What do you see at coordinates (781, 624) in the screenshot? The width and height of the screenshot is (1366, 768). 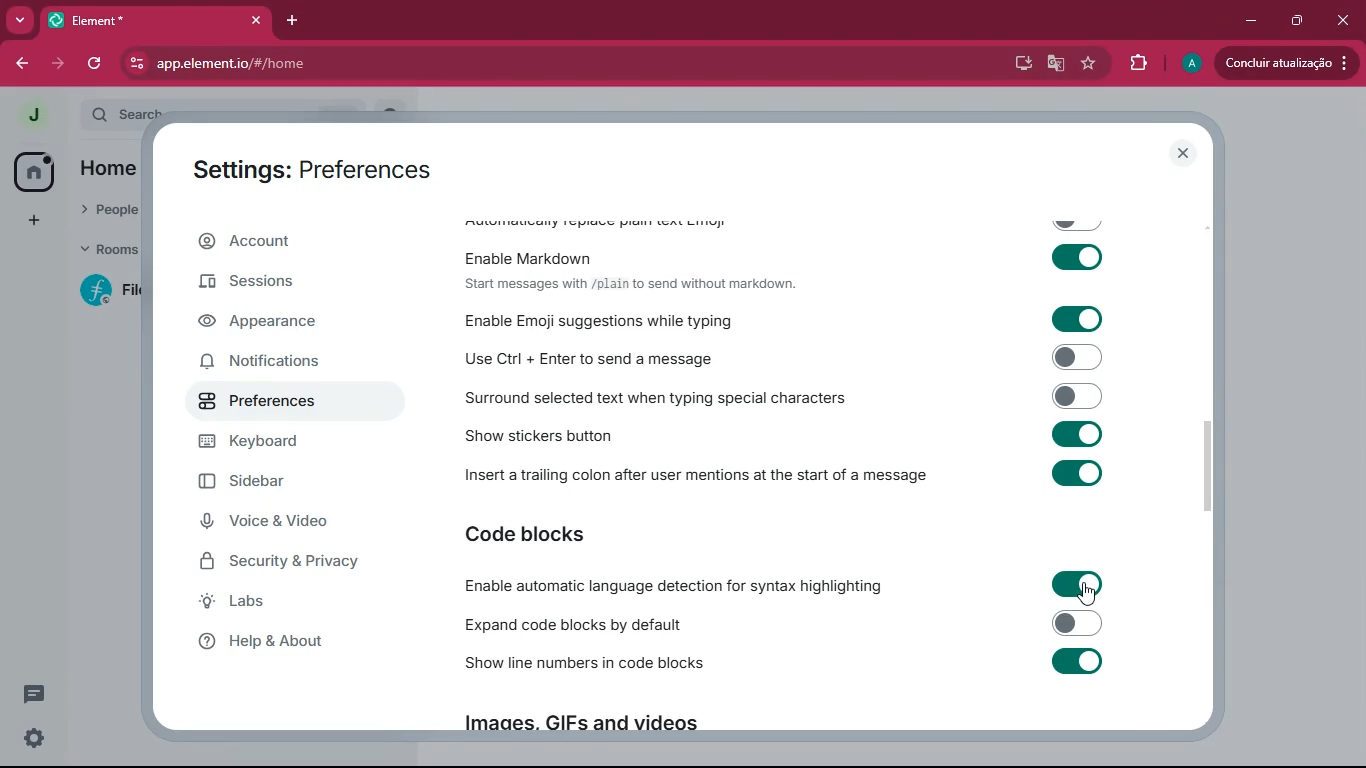 I see `Expand code blocks by default` at bounding box center [781, 624].